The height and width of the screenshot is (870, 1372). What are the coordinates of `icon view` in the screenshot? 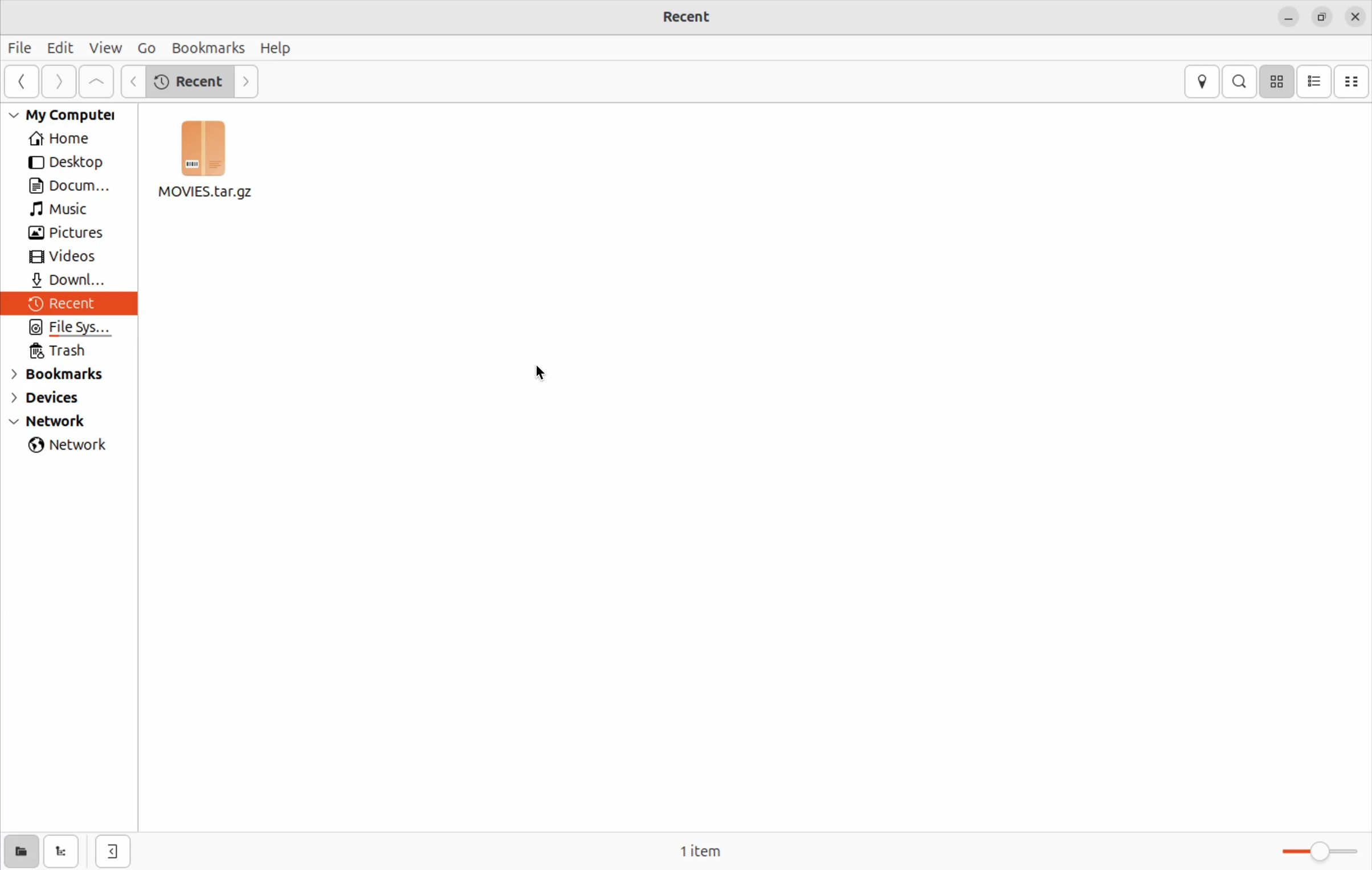 It's located at (1278, 81).